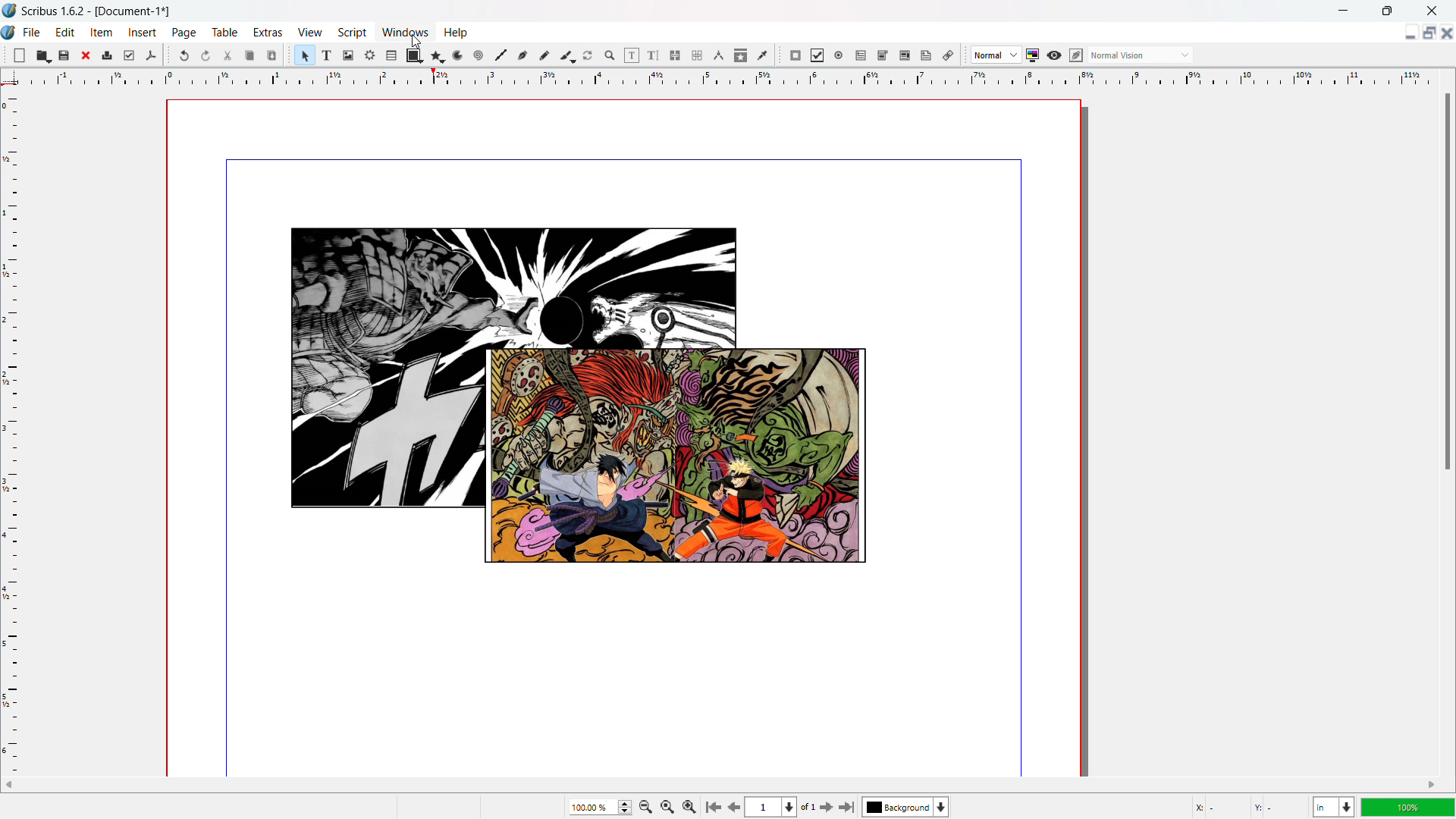 The image size is (1456, 819). Describe the element at coordinates (589, 55) in the screenshot. I see `rotate item` at that location.